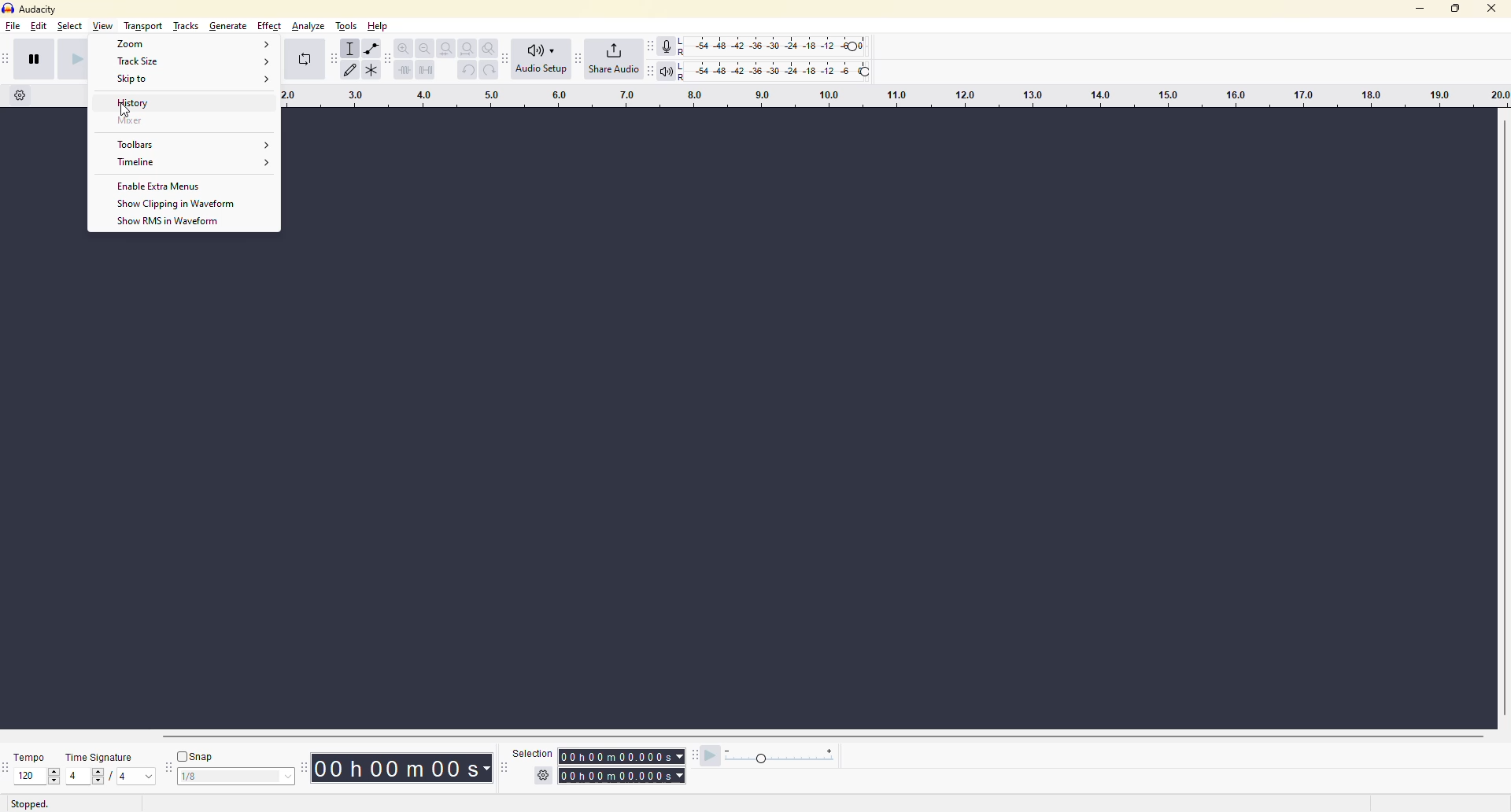  What do you see at coordinates (526, 756) in the screenshot?
I see `selection` at bounding box center [526, 756].